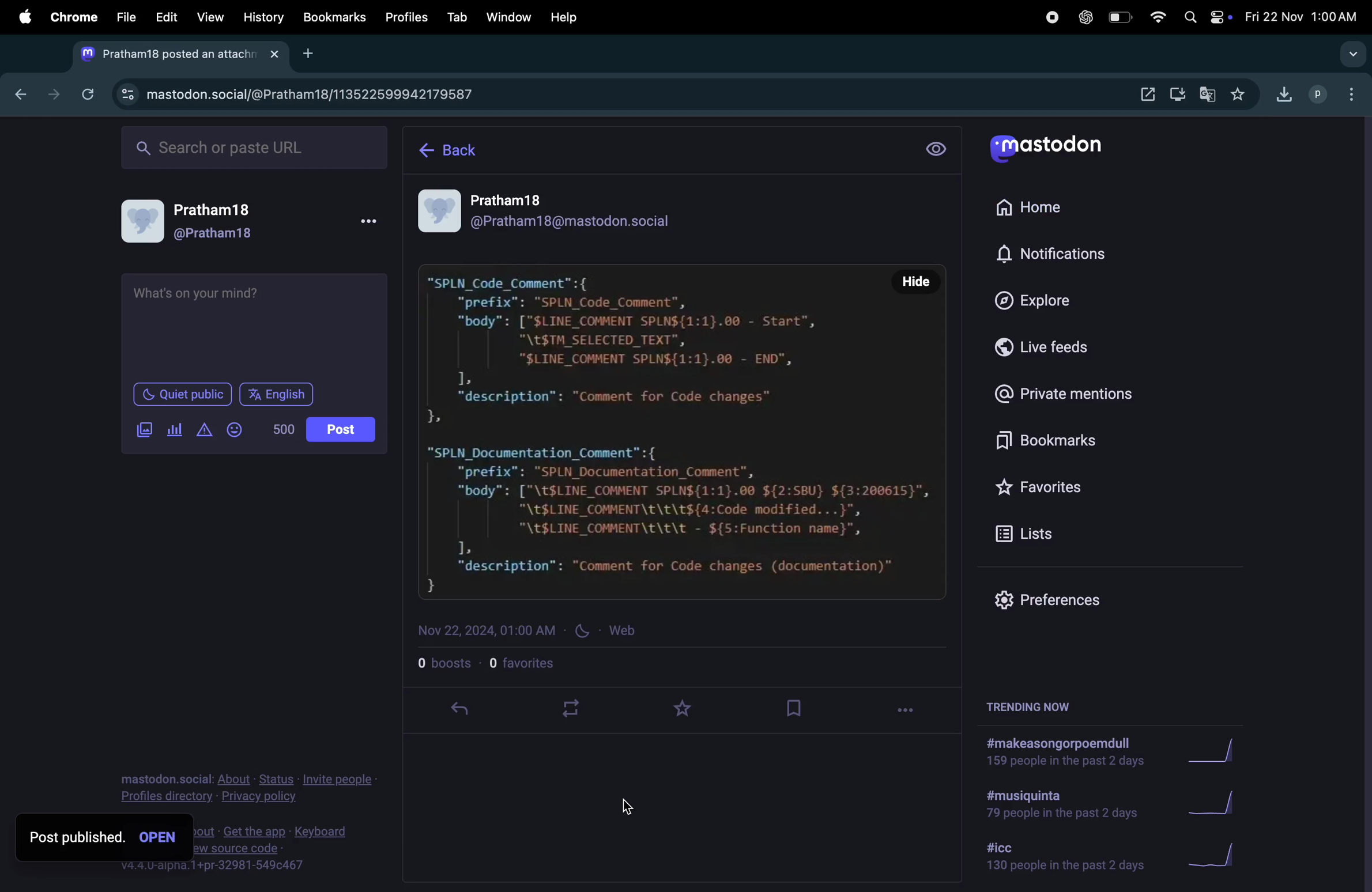 The height and width of the screenshot is (892, 1372). Describe the element at coordinates (283, 428) in the screenshot. I see `words` at that location.